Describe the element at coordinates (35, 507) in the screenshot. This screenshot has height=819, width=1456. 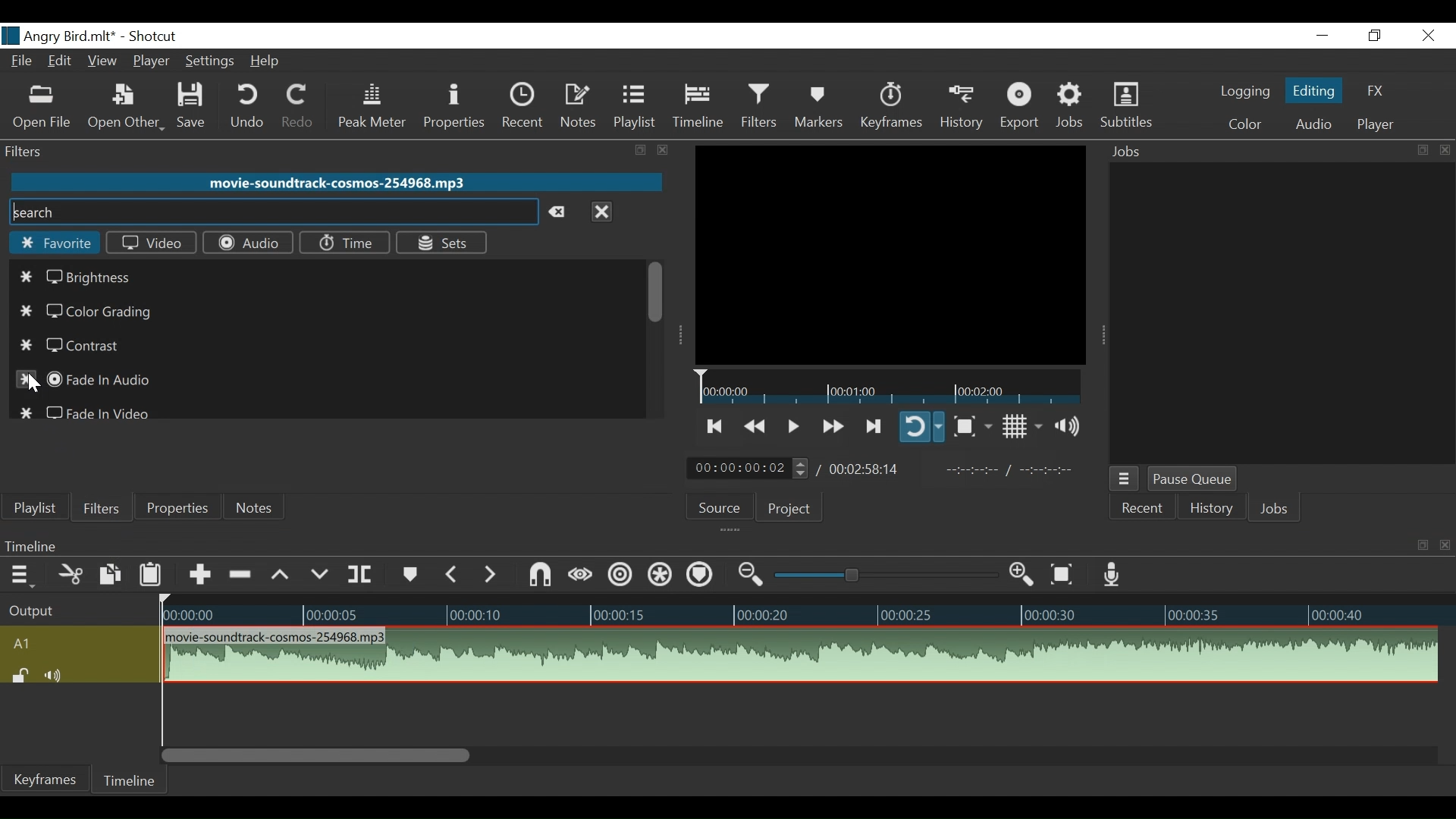
I see `Playlist menu` at that location.